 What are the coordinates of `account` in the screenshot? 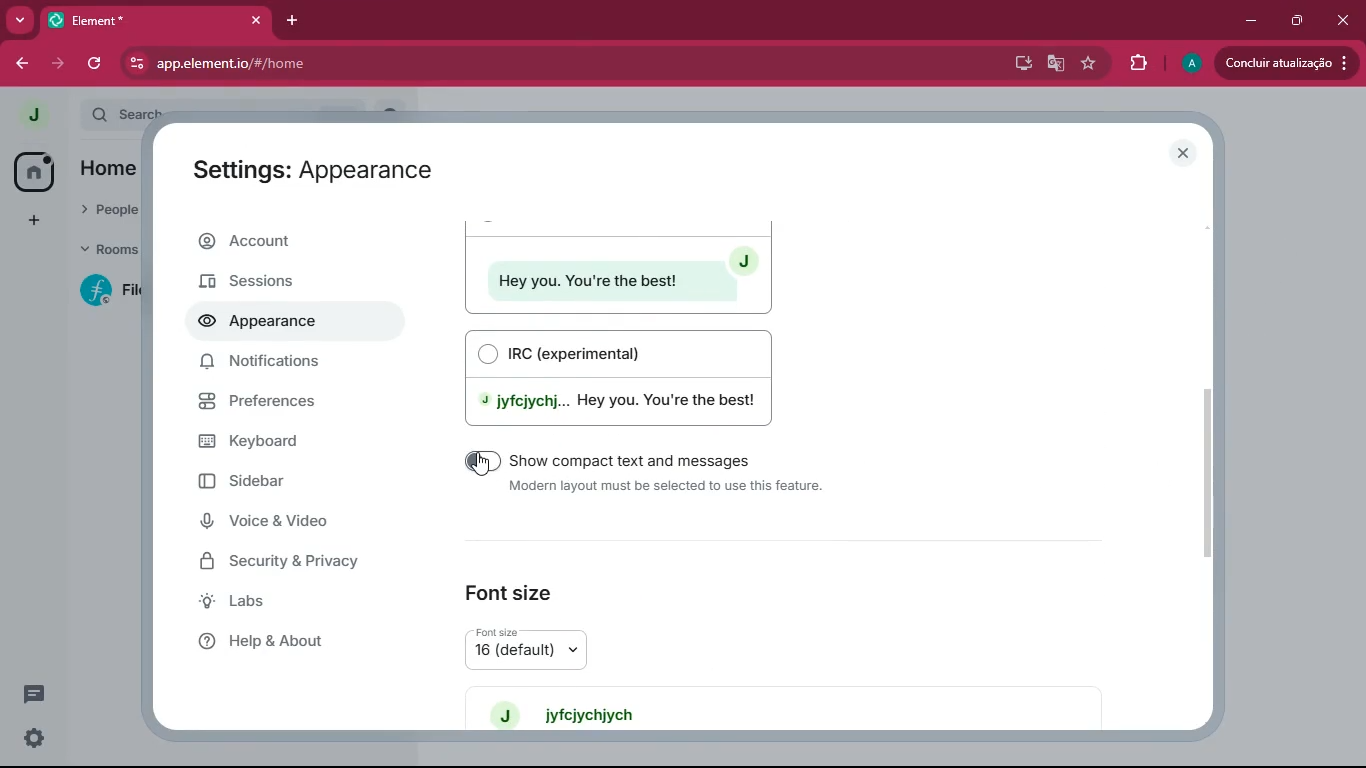 It's located at (294, 244).